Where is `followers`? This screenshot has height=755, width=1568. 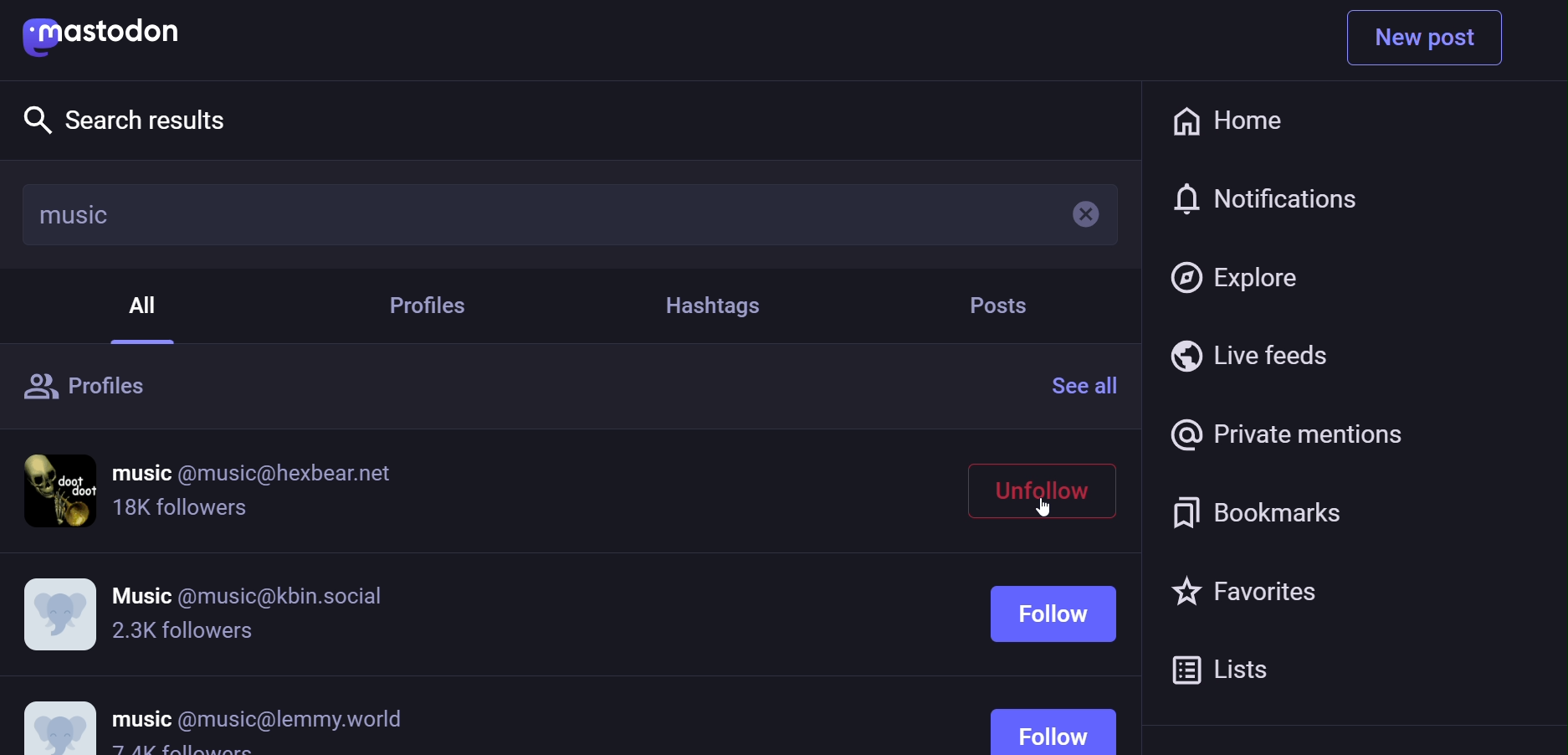 followers is located at coordinates (182, 512).